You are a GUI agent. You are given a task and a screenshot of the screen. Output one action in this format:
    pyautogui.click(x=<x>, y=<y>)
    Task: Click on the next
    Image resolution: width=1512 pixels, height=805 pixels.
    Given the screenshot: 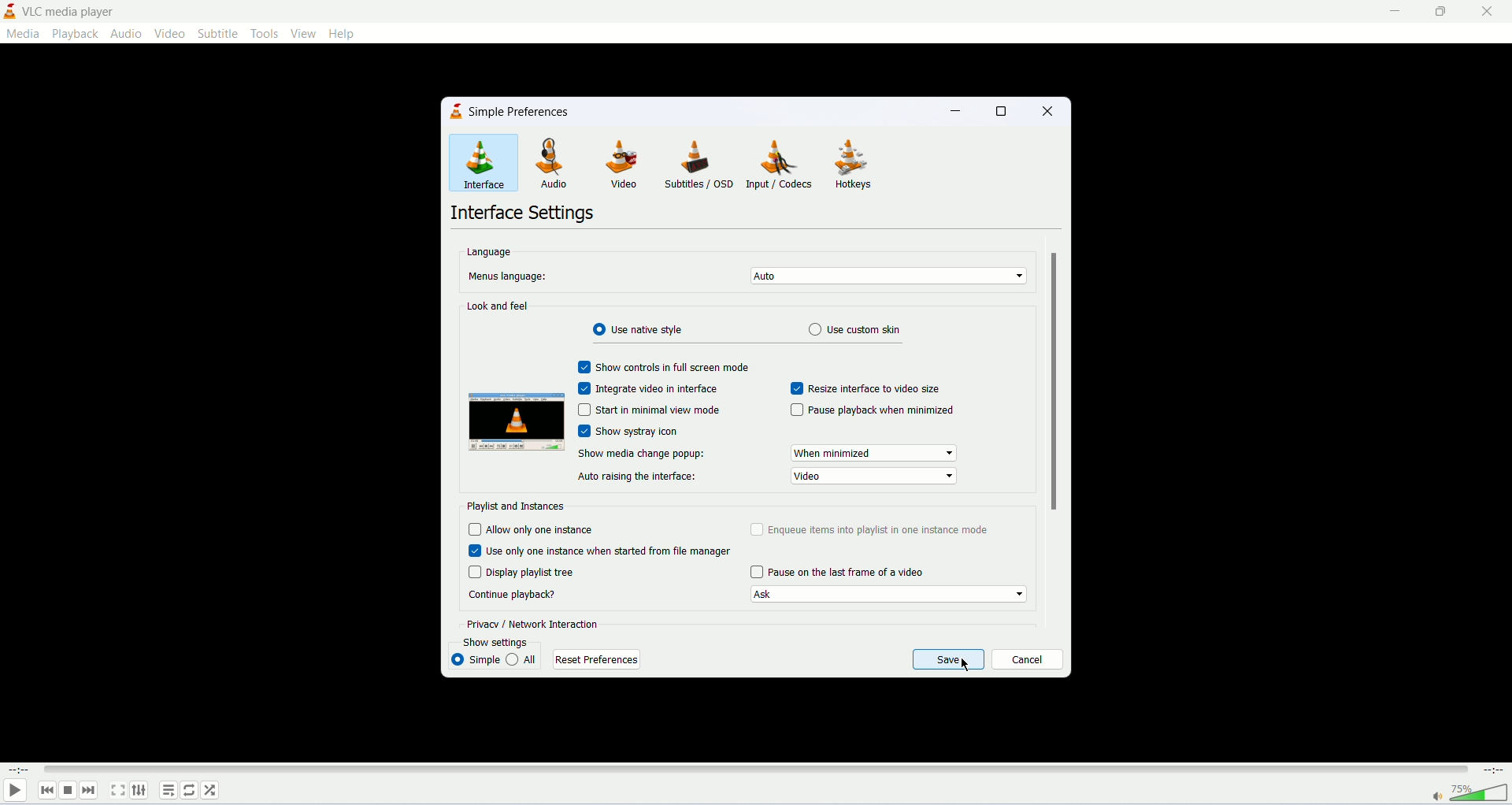 What is the action you would take?
    pyautogui.click(x=91, y=793)
    